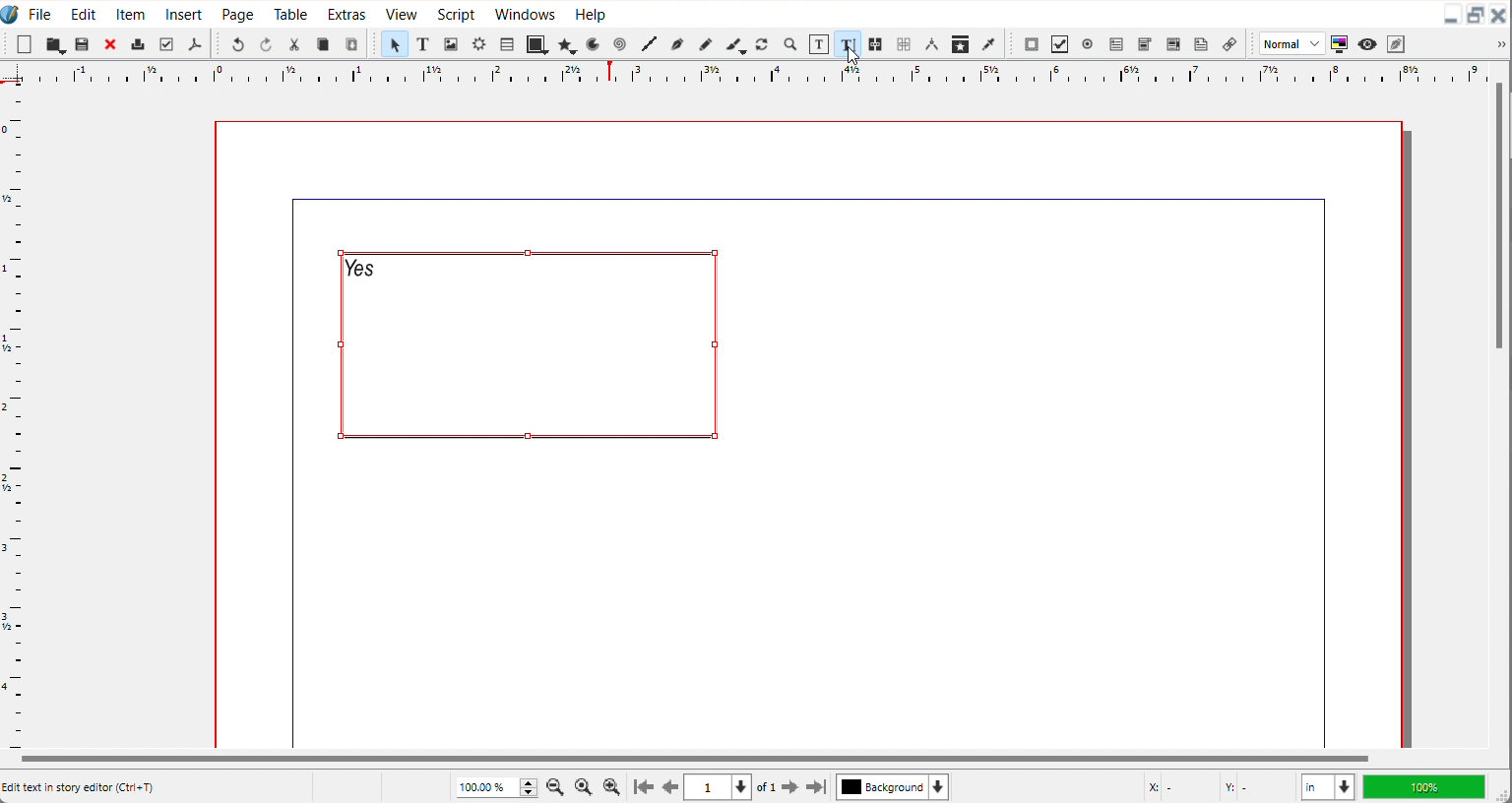  Describe the element at coordinates (458, 13) in the screenshot. I see `Script` at that location.